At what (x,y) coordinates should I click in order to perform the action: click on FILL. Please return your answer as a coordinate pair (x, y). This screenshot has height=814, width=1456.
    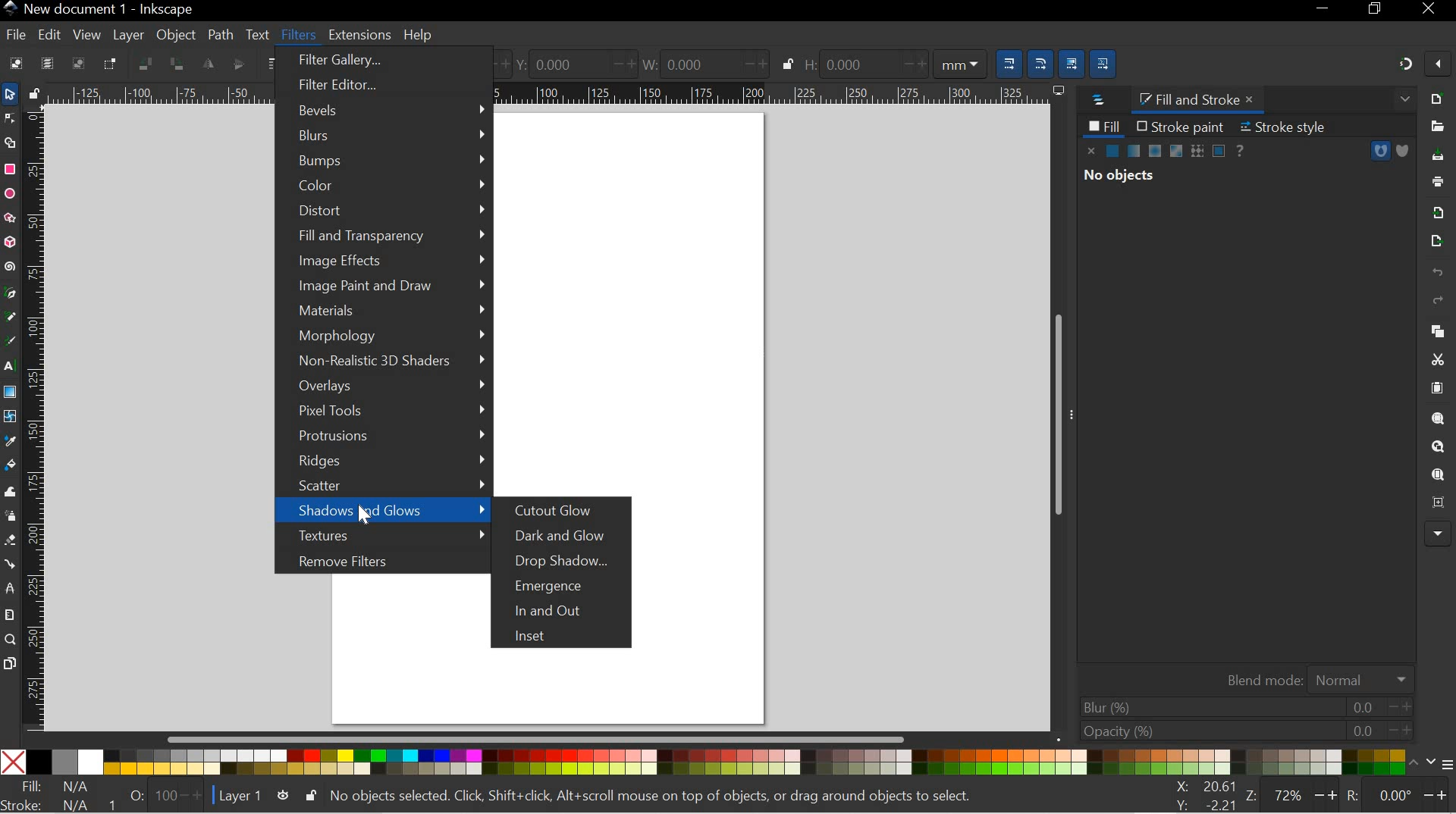
    Looking at the image, I should click on (1104, 126).